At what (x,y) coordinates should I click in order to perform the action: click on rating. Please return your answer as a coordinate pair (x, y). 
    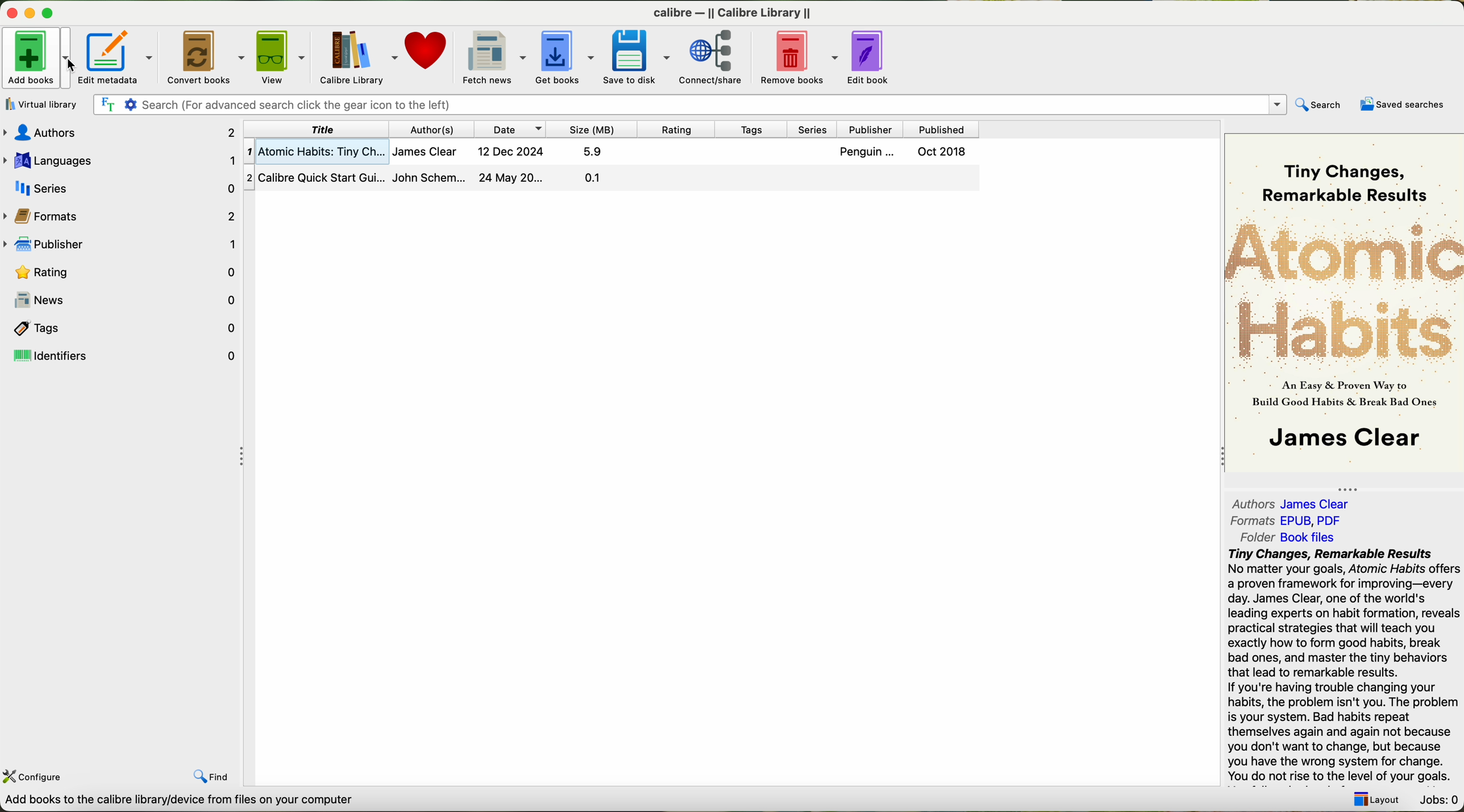
    Looking at the image, I should click on (121, 272).